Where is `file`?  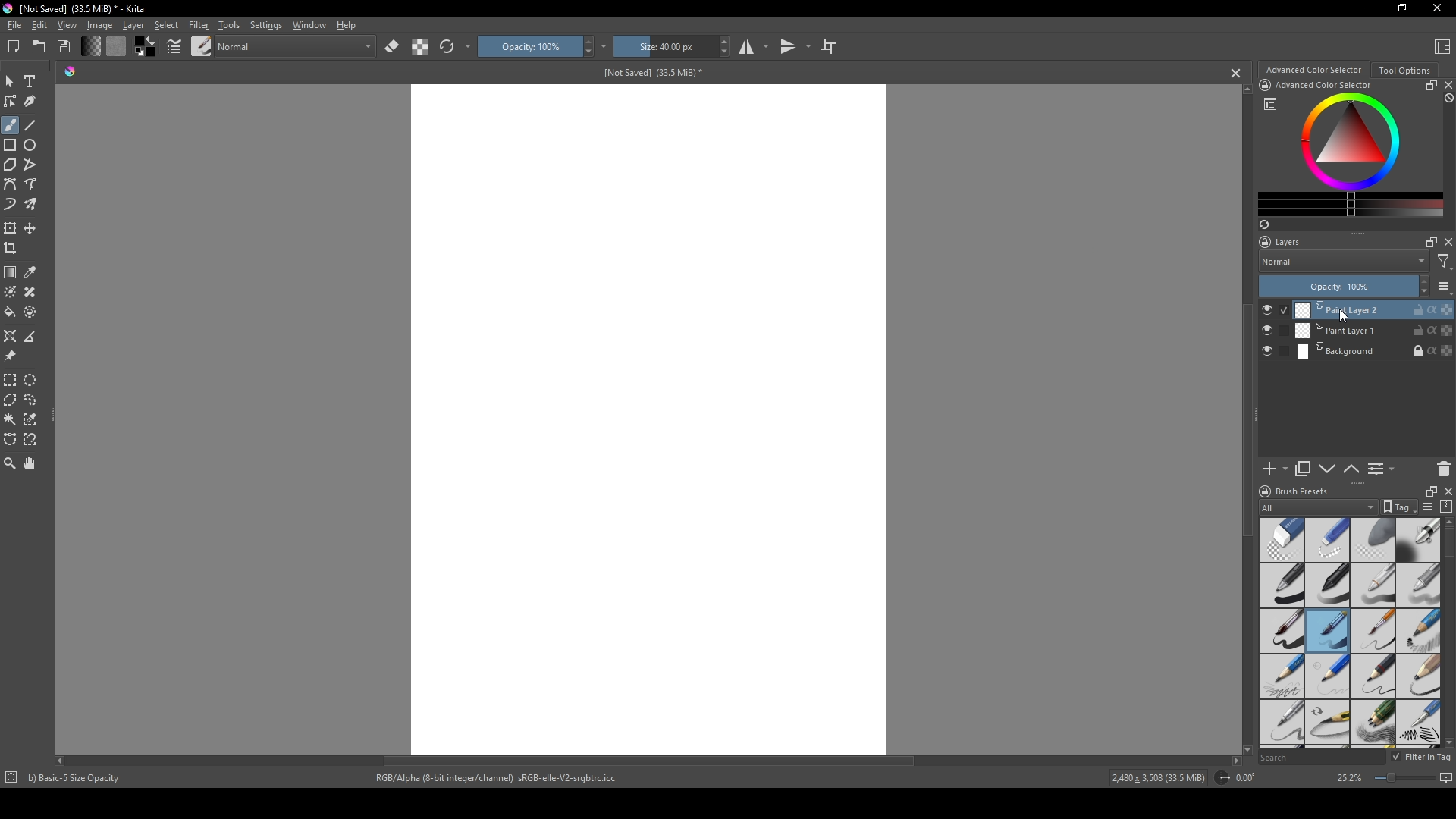 file is located at coordinates (14, 26).